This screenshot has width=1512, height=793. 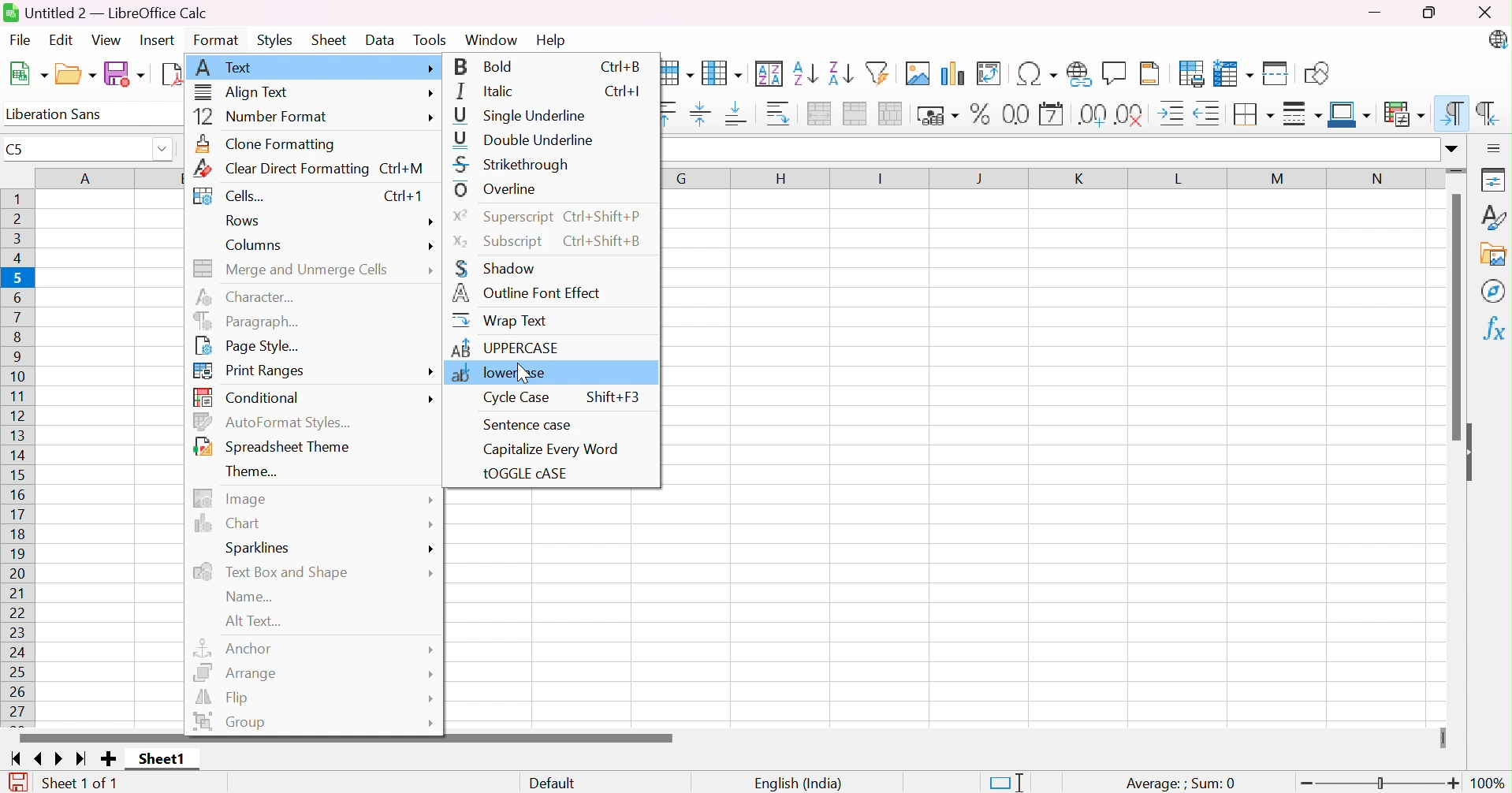 I want to click on Format as Date, so click(x=1052, y=114).